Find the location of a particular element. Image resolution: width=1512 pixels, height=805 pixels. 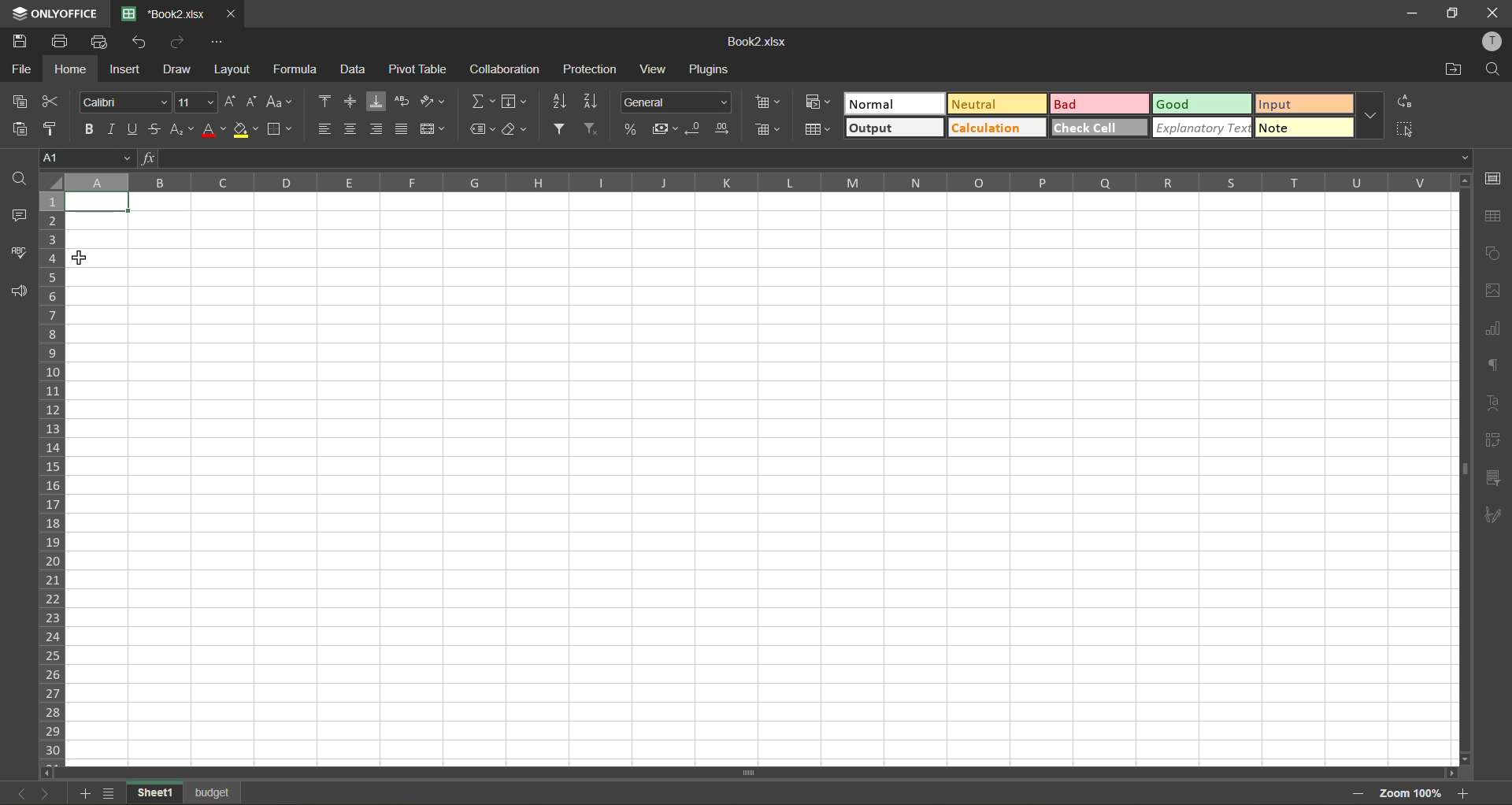

print is located at coordinates (62, 43).